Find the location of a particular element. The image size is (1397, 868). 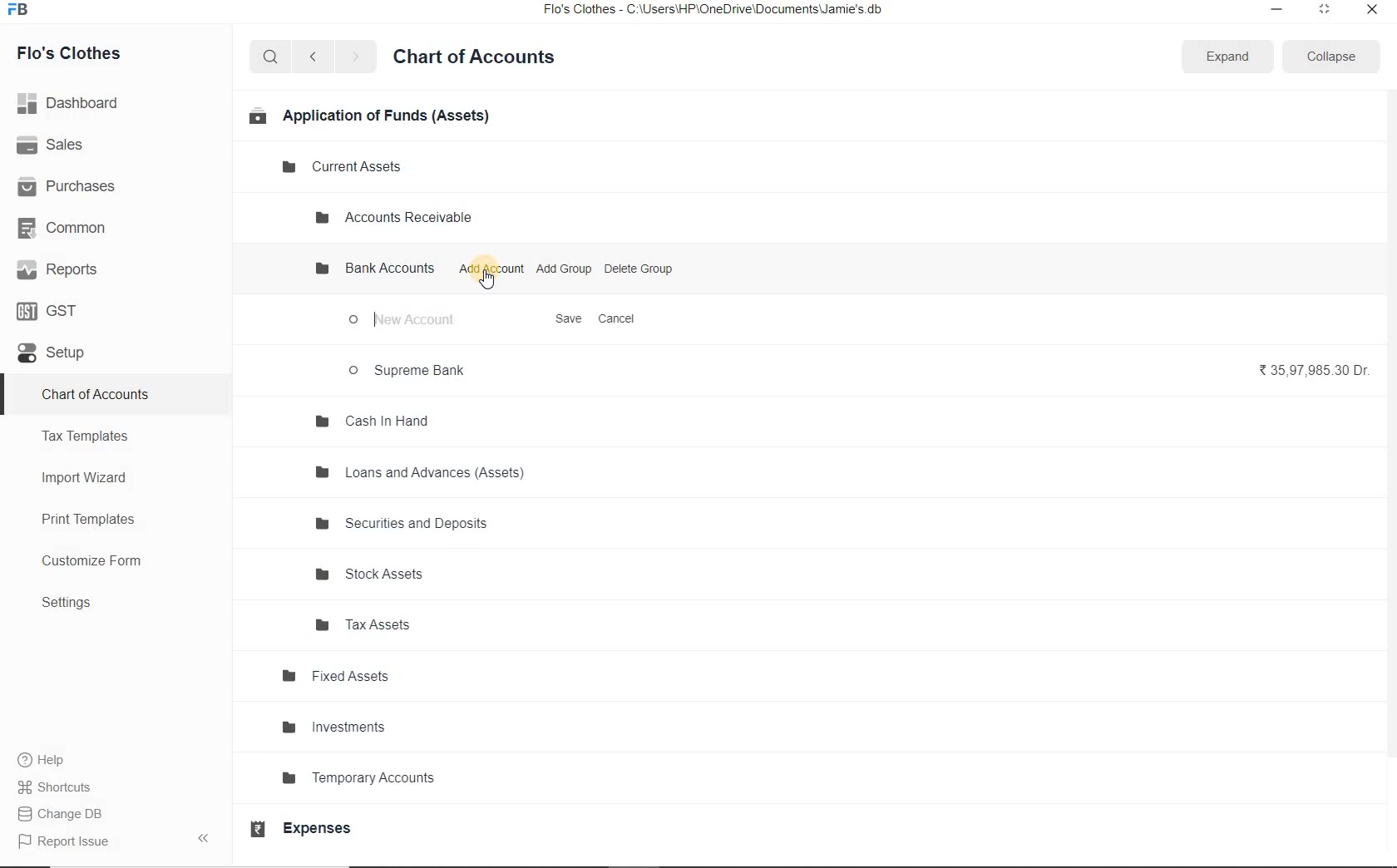

Stock Assets is located at coordinates (383, 576).